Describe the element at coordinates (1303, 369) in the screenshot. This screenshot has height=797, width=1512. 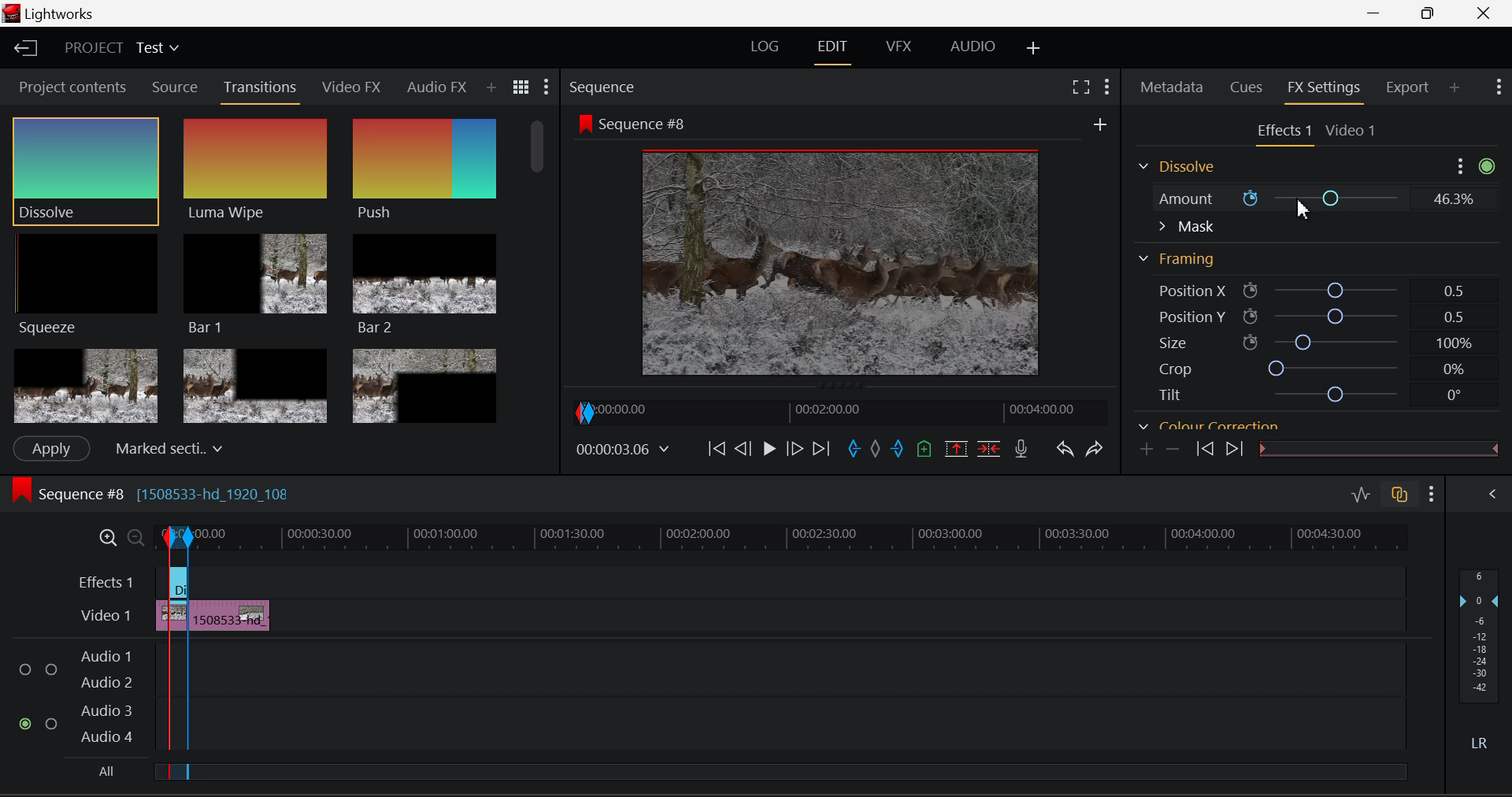
I see `Crop` at that location.